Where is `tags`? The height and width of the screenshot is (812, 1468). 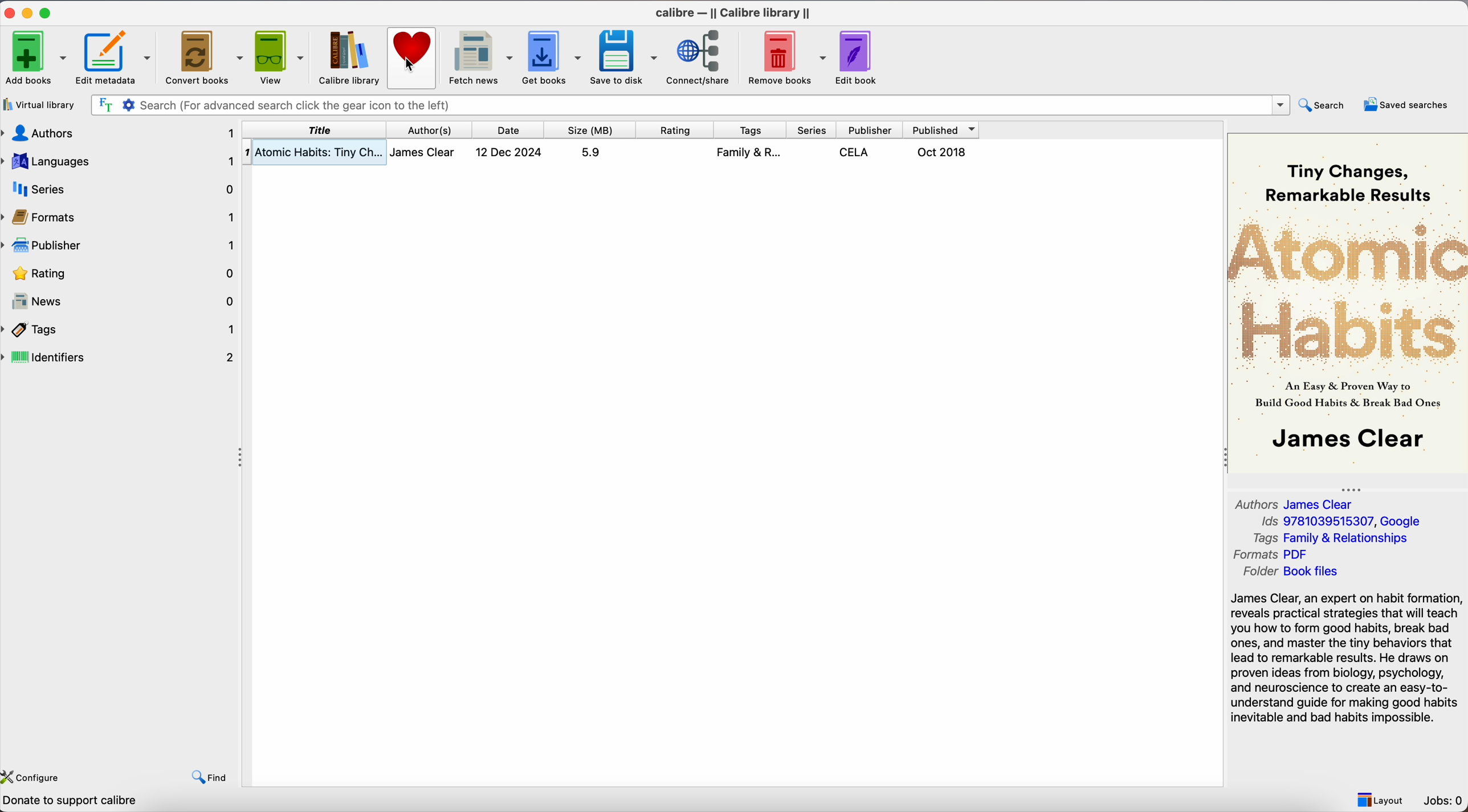 tags is located at coordinates (121, 329).